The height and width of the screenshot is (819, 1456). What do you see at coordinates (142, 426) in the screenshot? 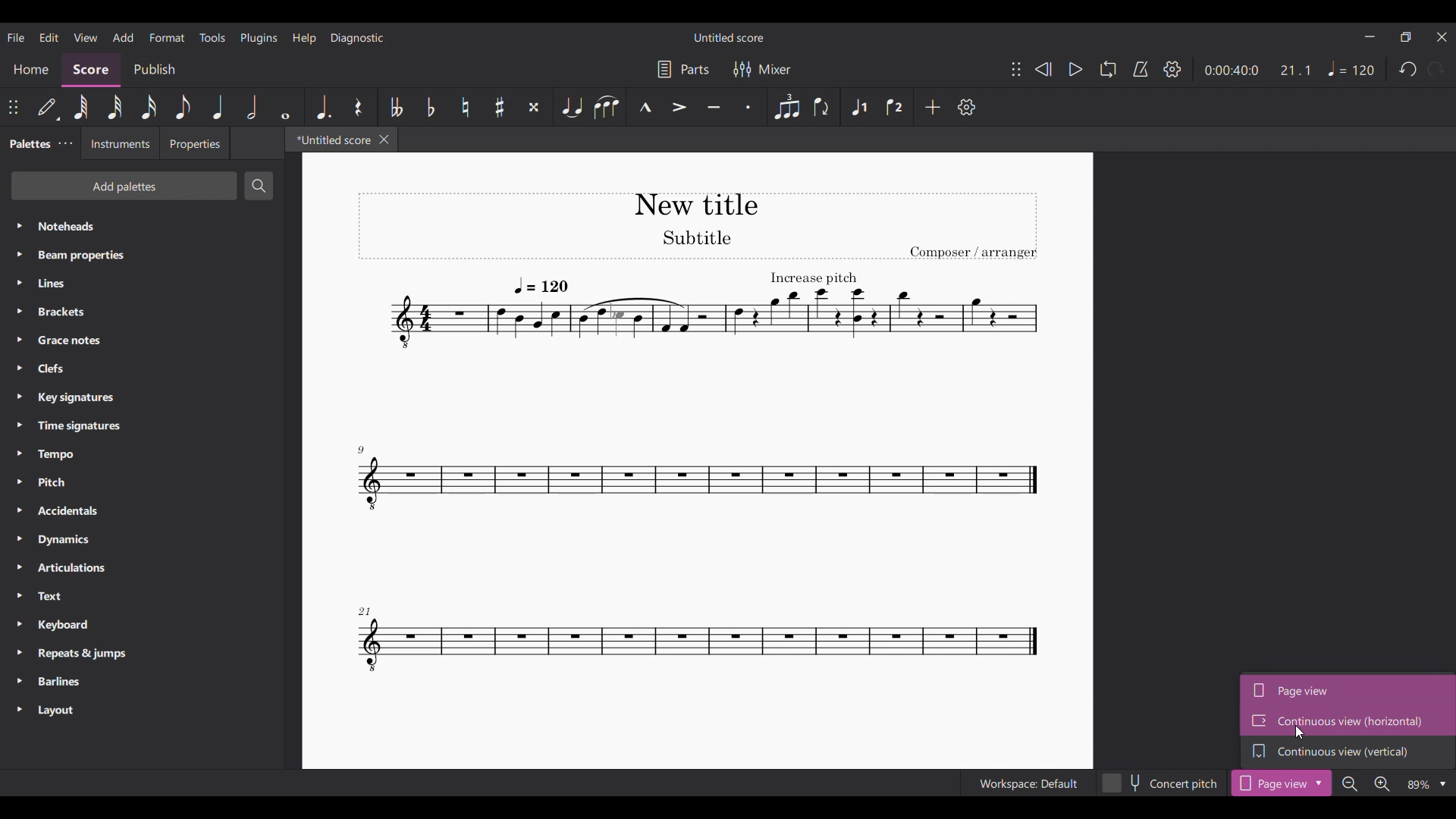
I see `Time signatures` at bounding box center [142, 426].